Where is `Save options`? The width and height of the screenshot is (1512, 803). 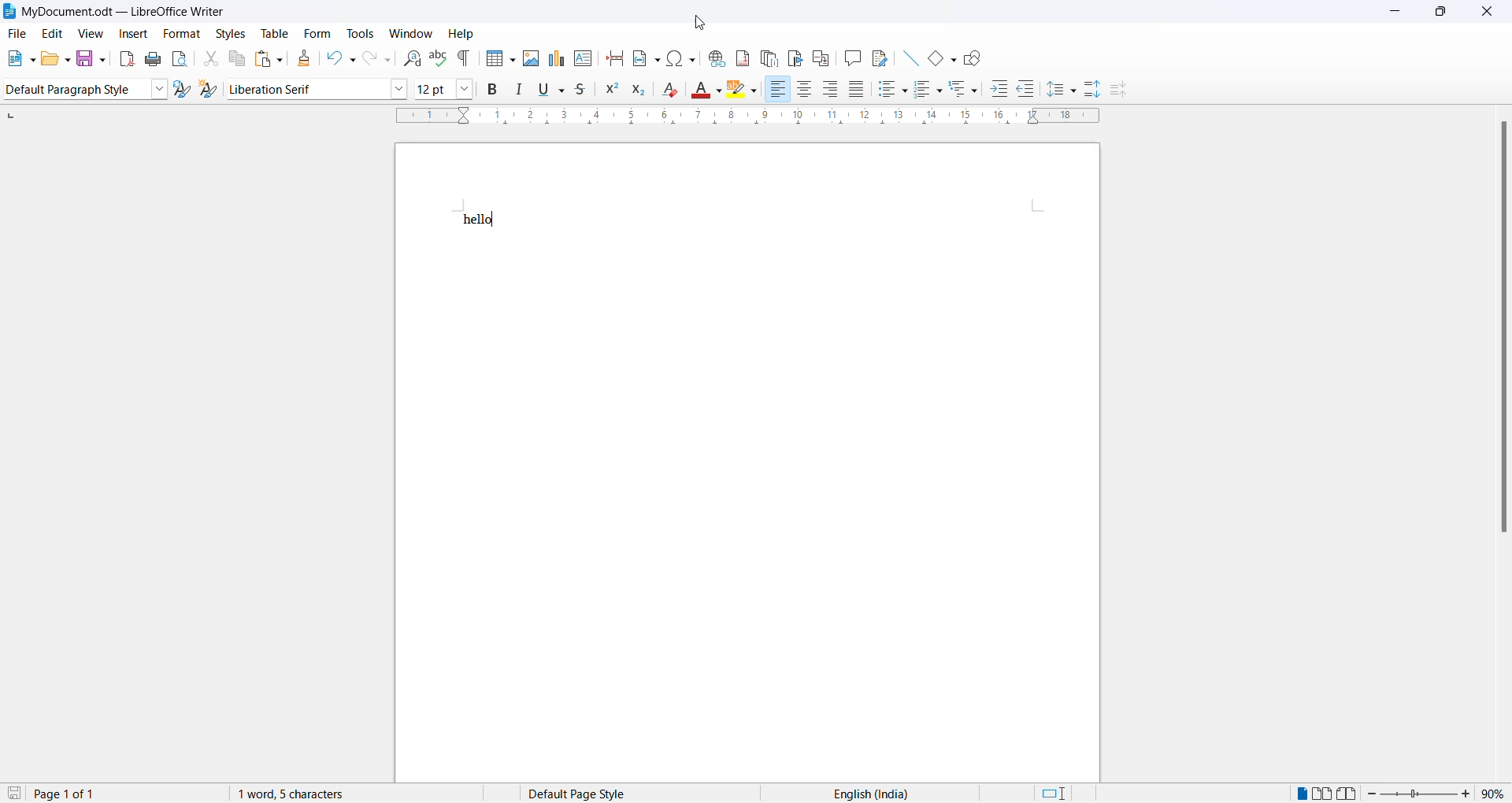 Save options is located at coordinates (91, 59).